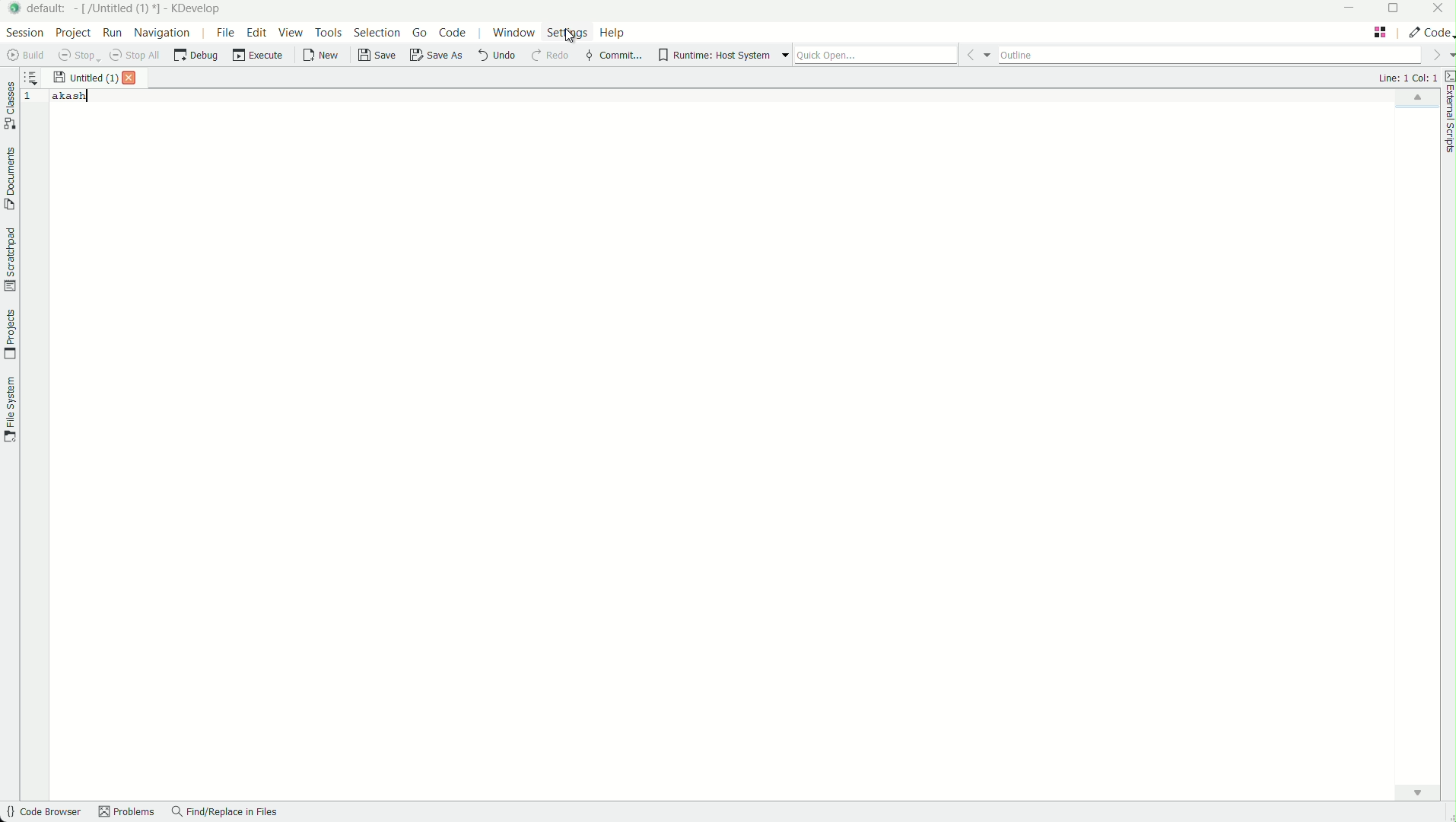  I want to click on stop all, so click(137, 56).